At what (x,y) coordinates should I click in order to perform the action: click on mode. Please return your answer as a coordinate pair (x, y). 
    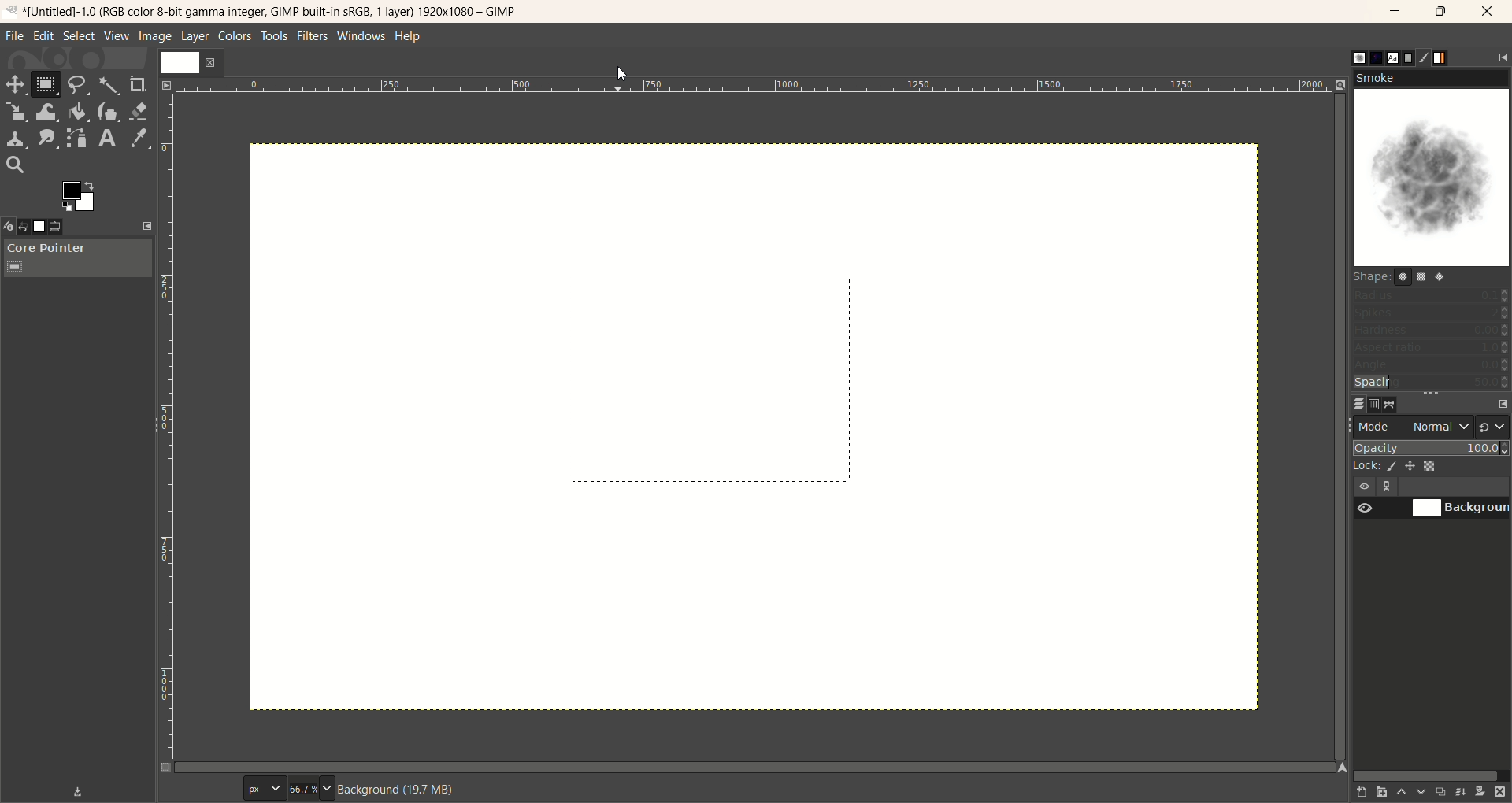
    Looking at the image, I should click on (1373, 426).